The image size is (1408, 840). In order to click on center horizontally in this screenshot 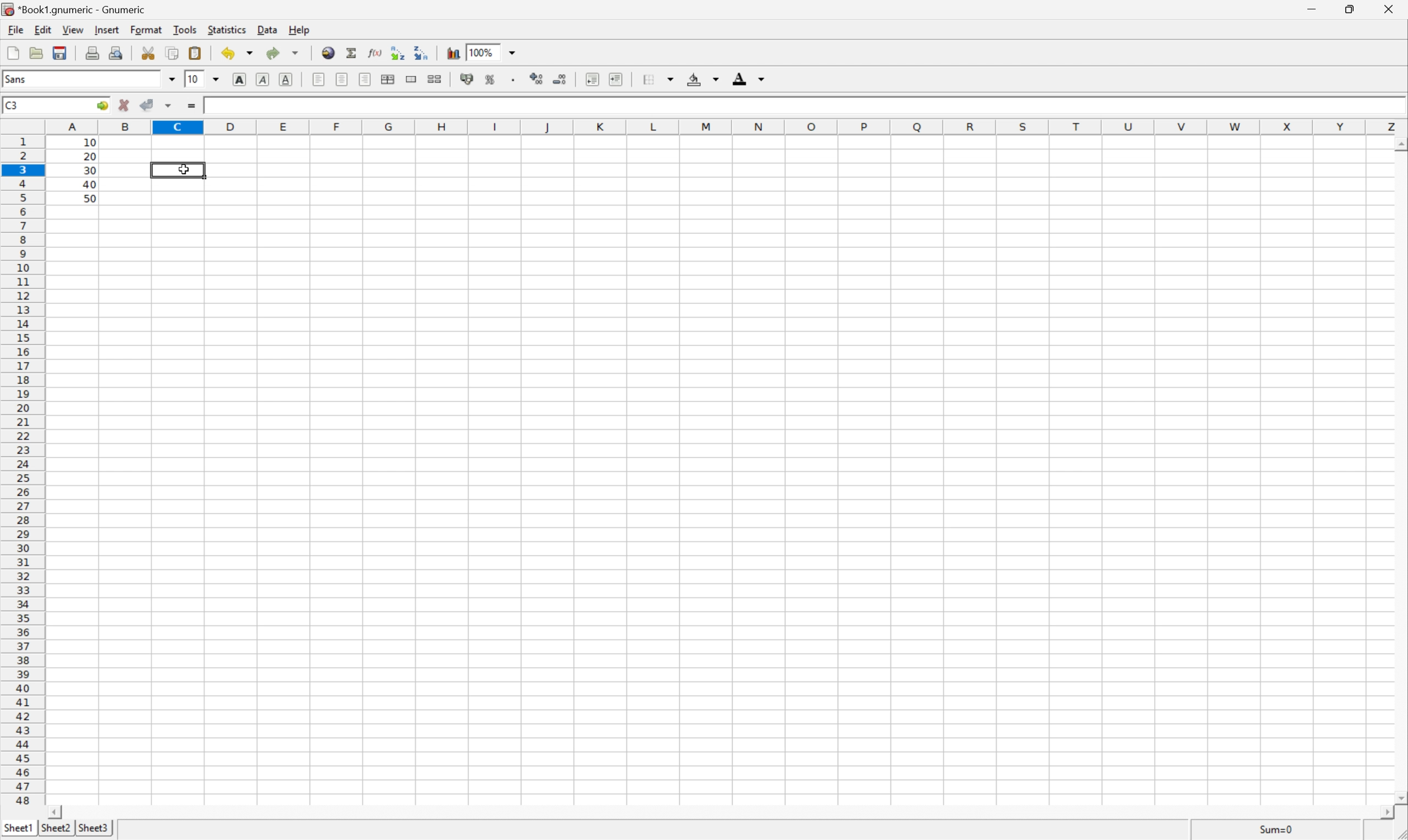, I will do `click(341, 78)`.